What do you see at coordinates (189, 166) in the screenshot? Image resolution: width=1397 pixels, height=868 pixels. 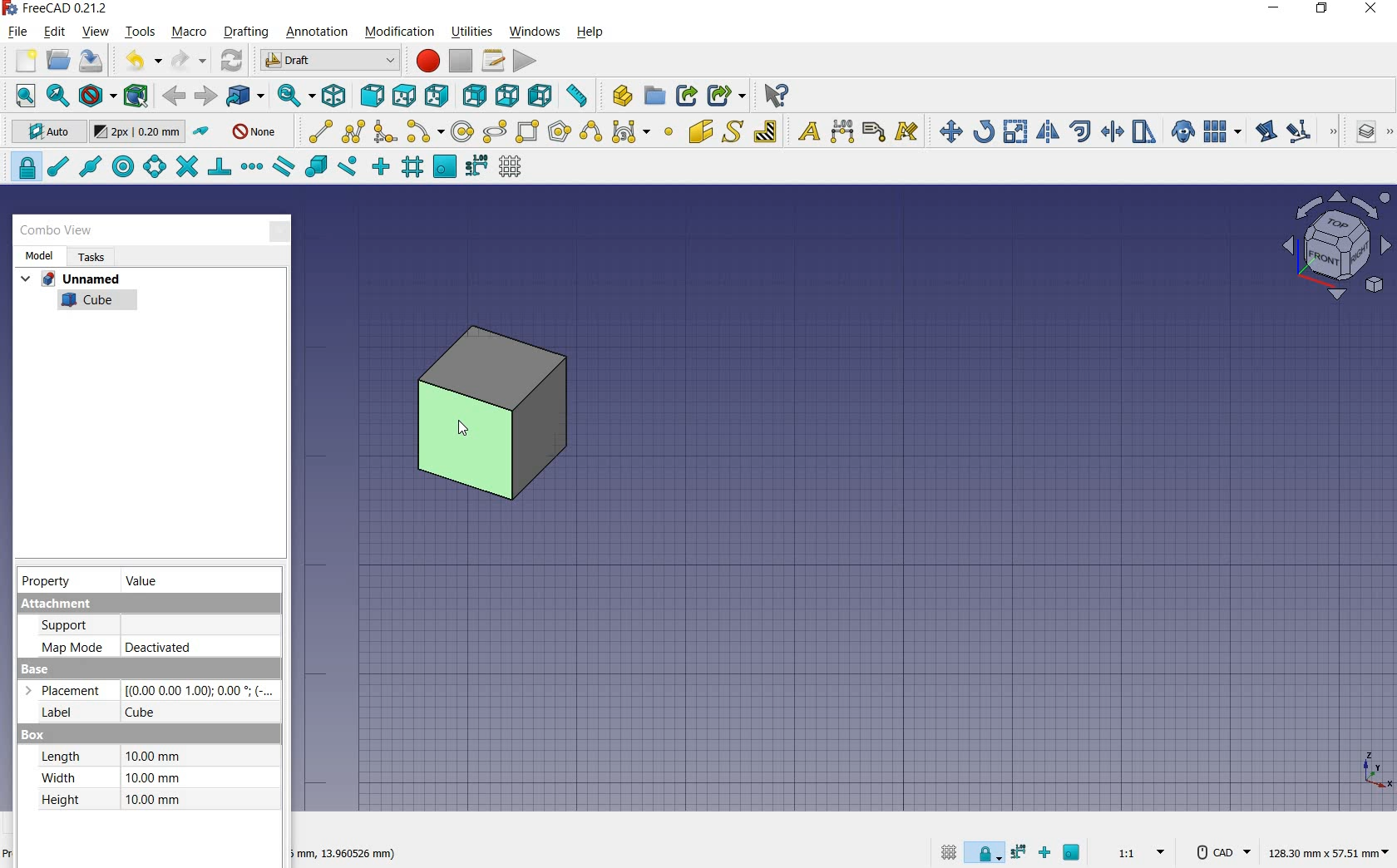 I see `snap intersection` at bounding box center [189, 166].